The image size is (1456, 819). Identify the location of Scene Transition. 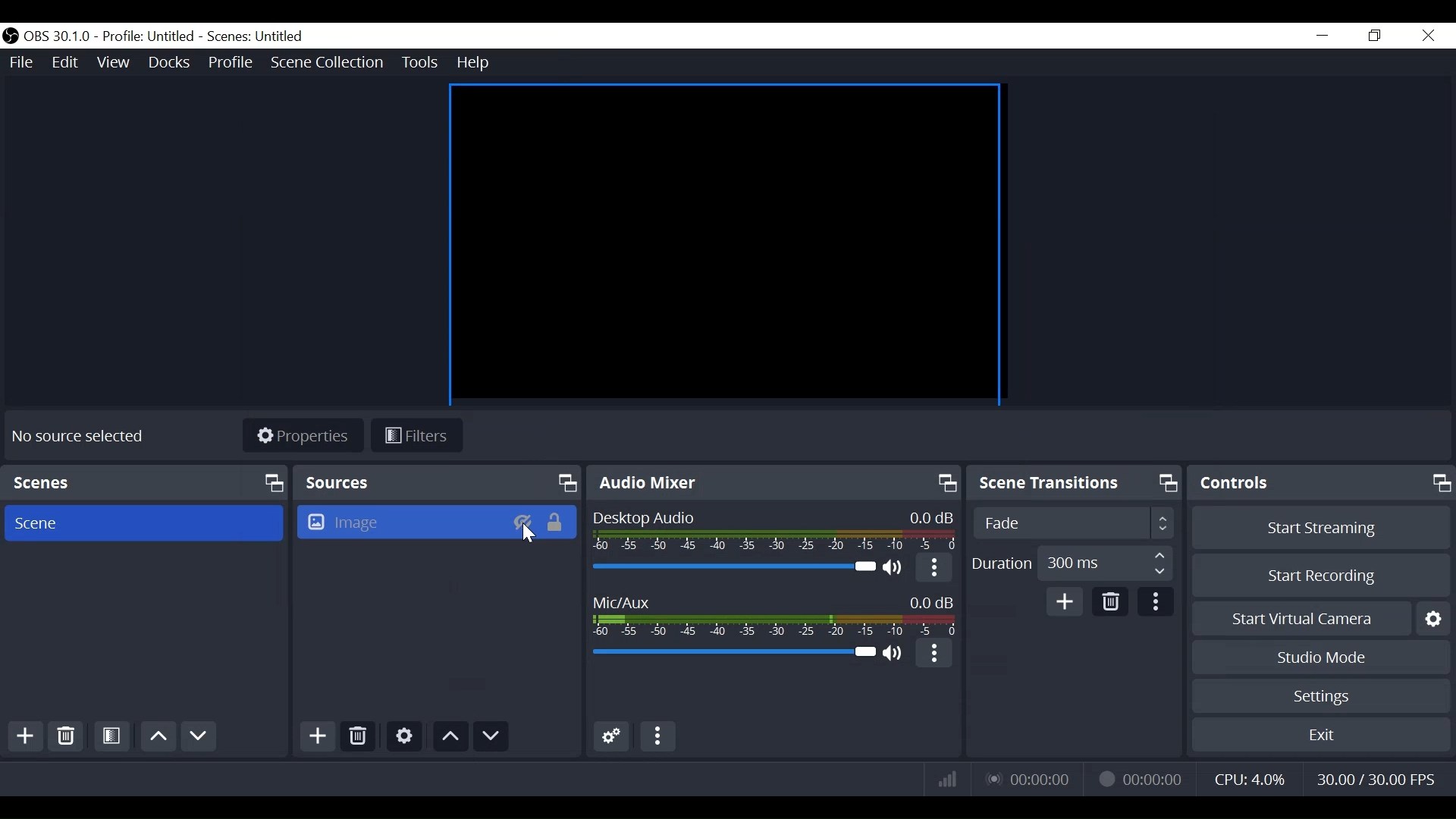
(1075, 483).